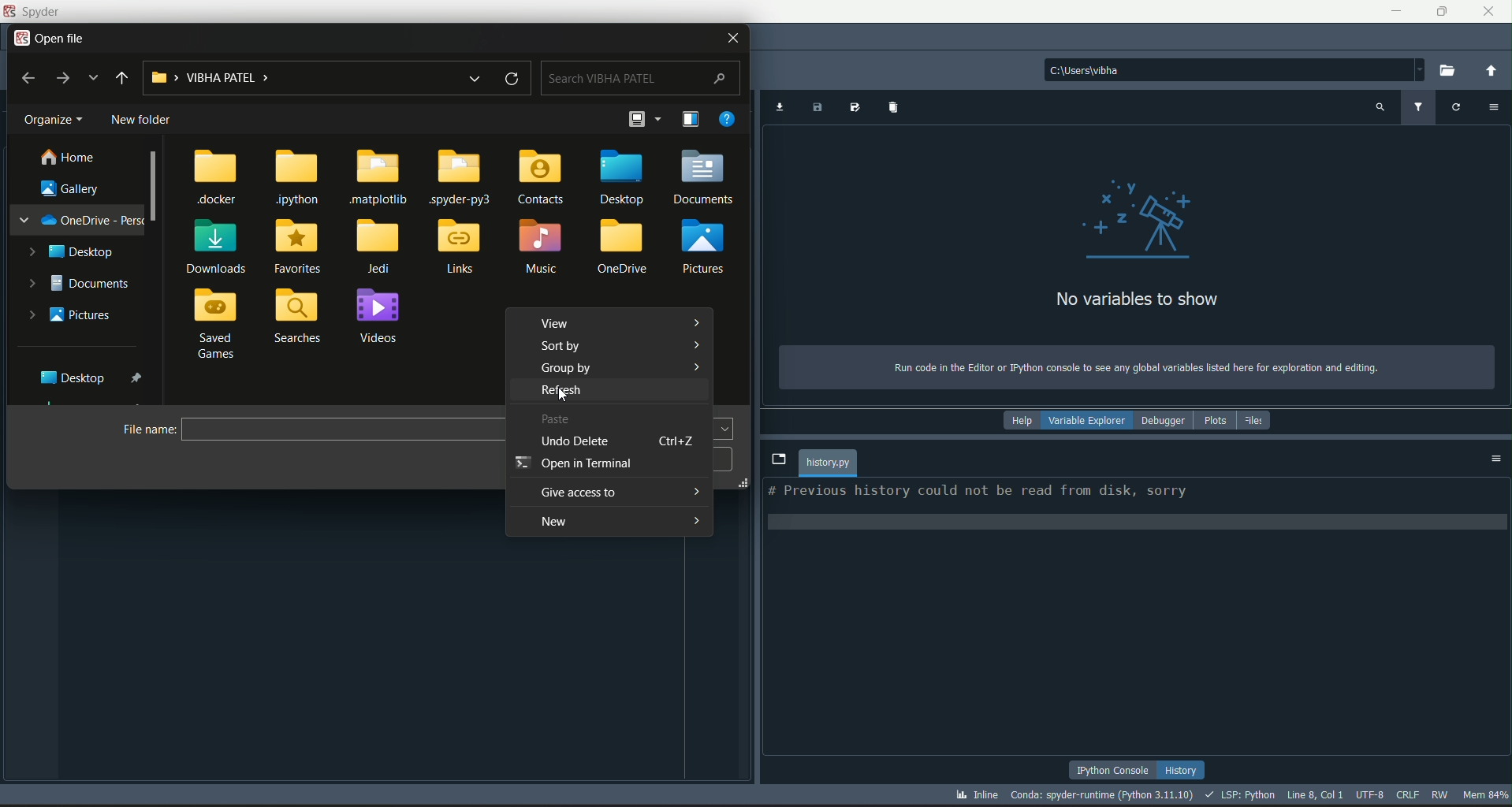 This screenshot has width=1512, height=807. I want to click on options, so click(1492, 109).